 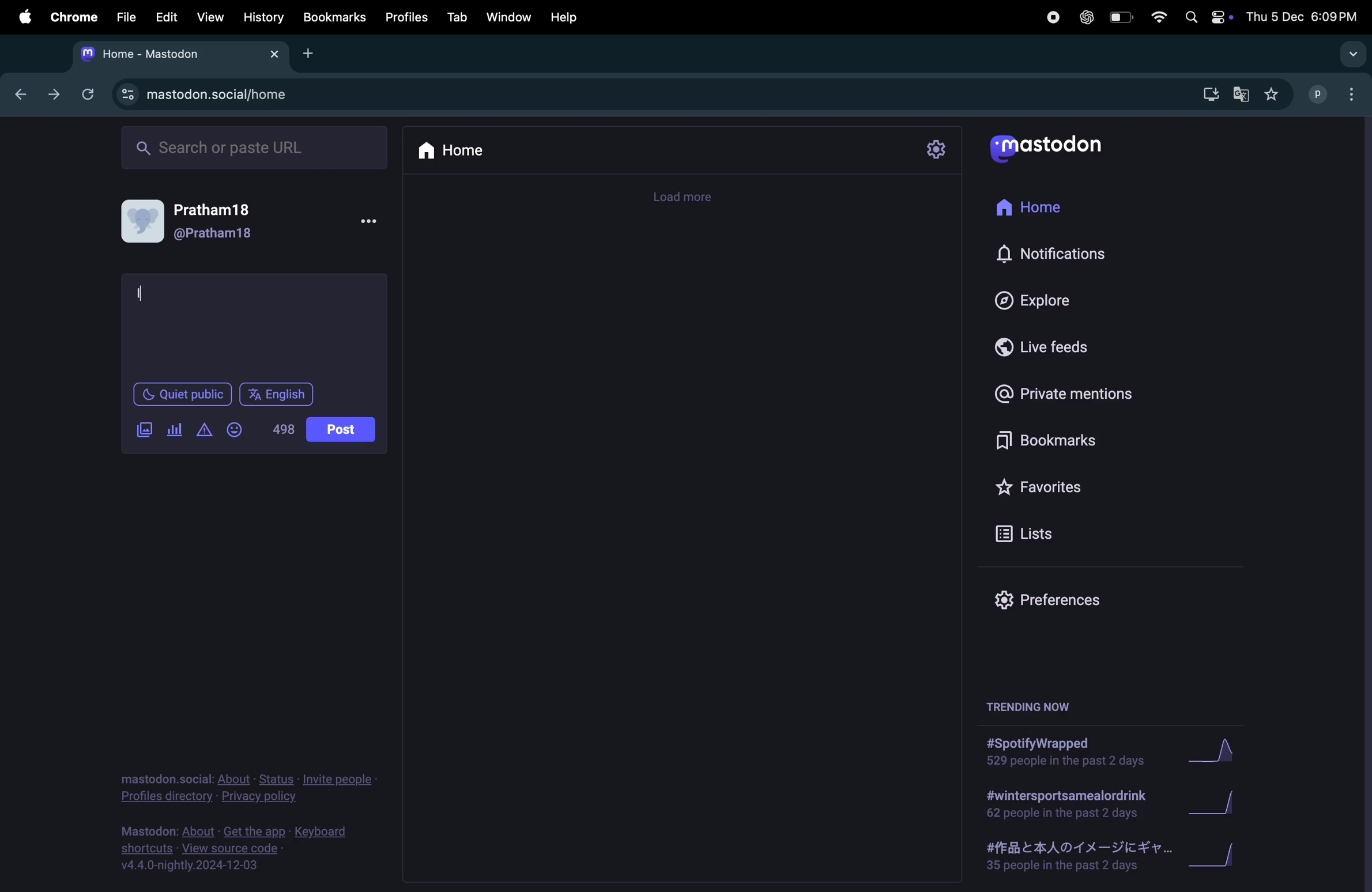 I want to click on refresh, so click(x=88, y=94).